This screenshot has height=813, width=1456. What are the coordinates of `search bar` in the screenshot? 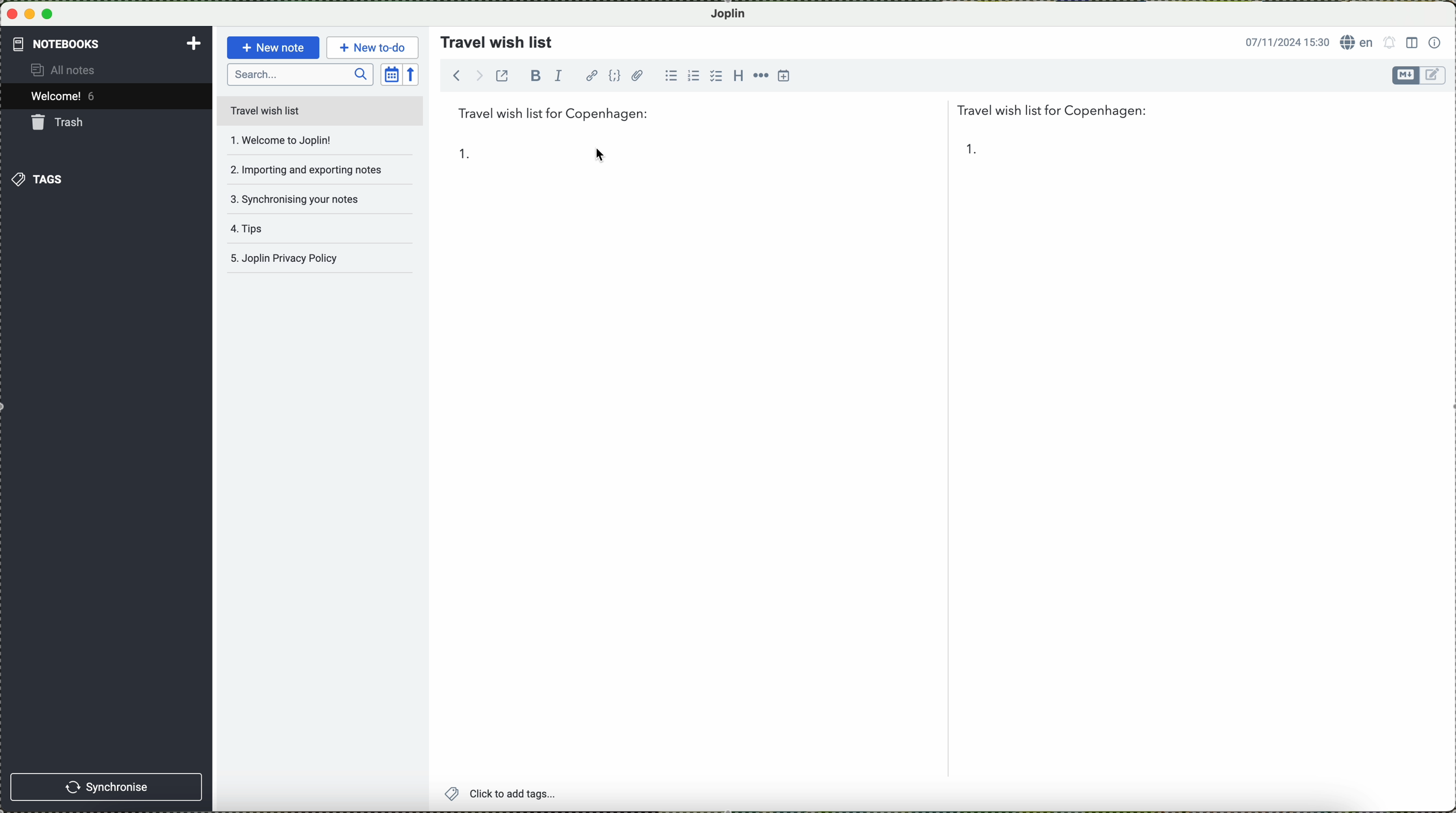 It's located at (300, 75).